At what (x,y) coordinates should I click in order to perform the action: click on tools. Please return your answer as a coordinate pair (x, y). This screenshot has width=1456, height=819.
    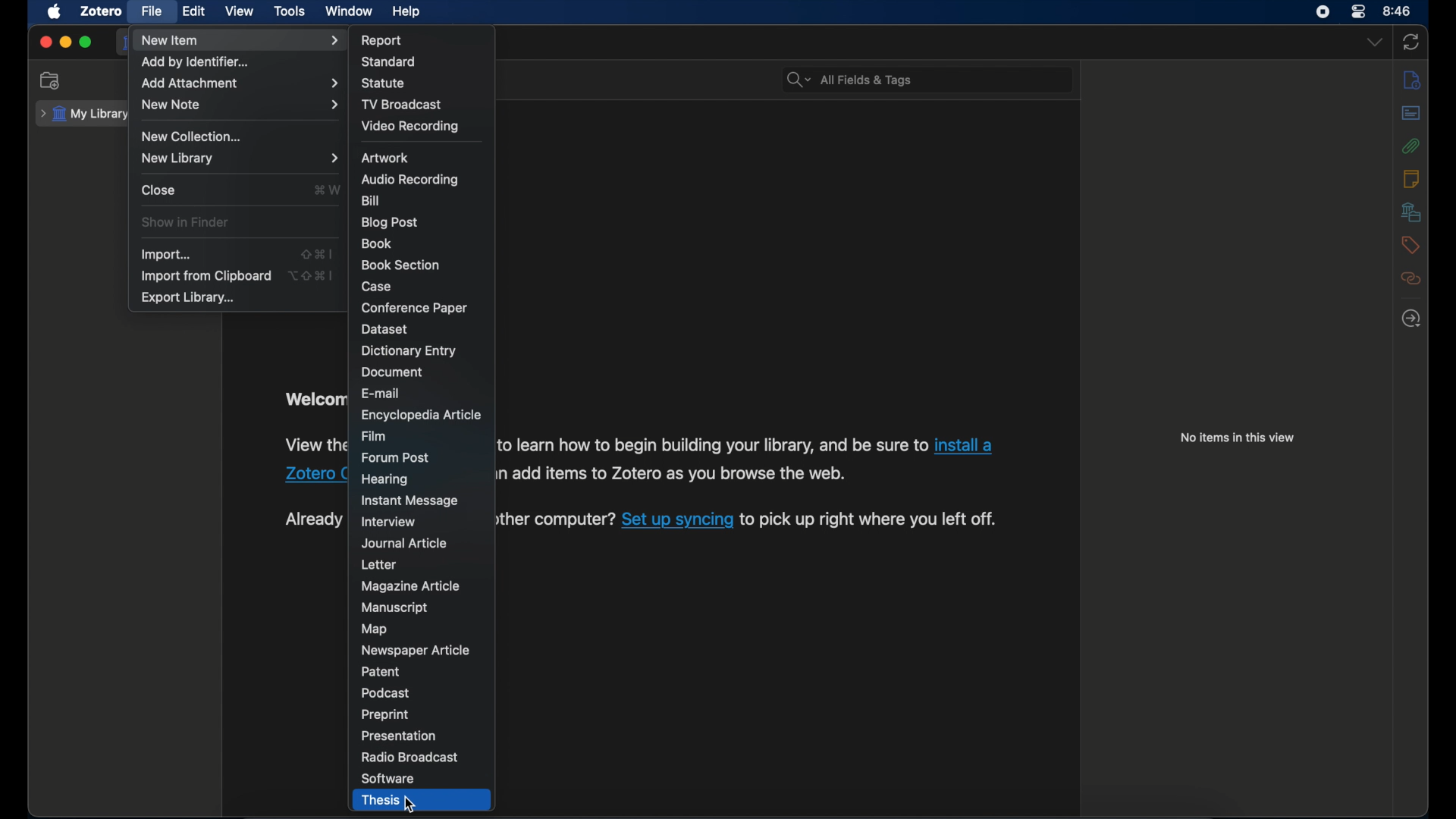
    Looking at the image, I should click on (290, 11).